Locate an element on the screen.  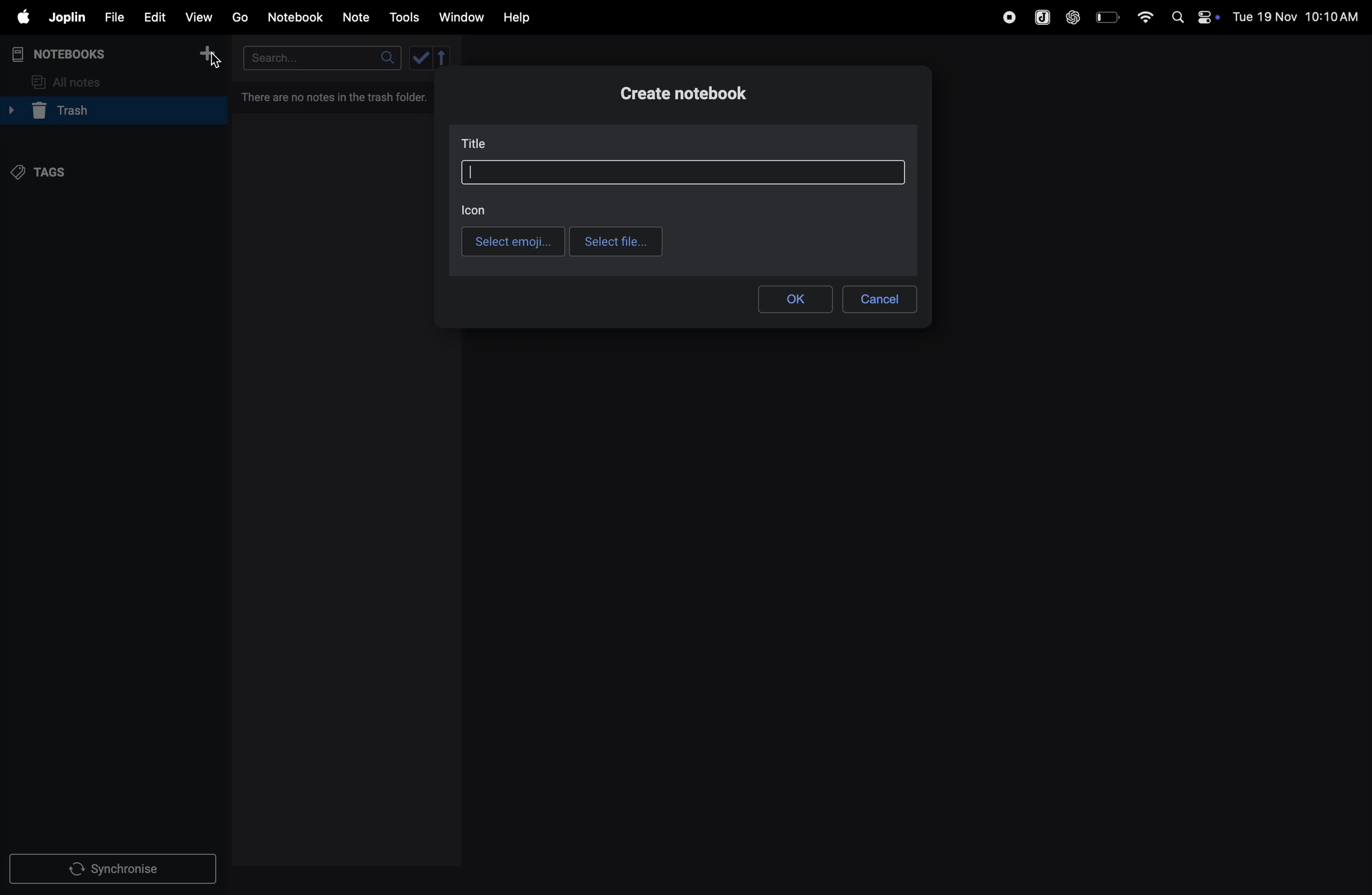
help is located at coordinates (520, 17).